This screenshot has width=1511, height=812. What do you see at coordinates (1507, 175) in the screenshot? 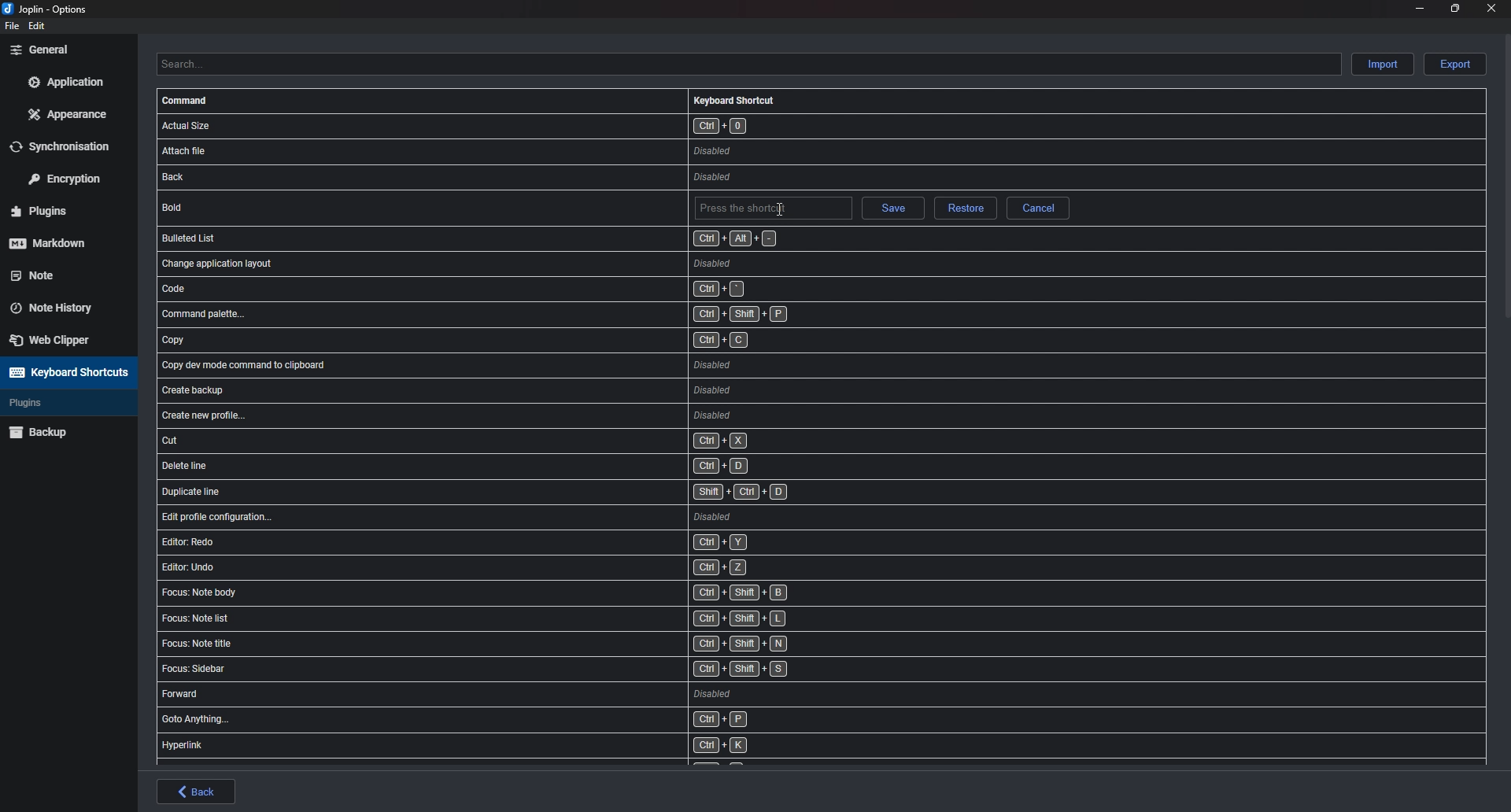
I see `scroll bar` at bounding box center [1507, 175].